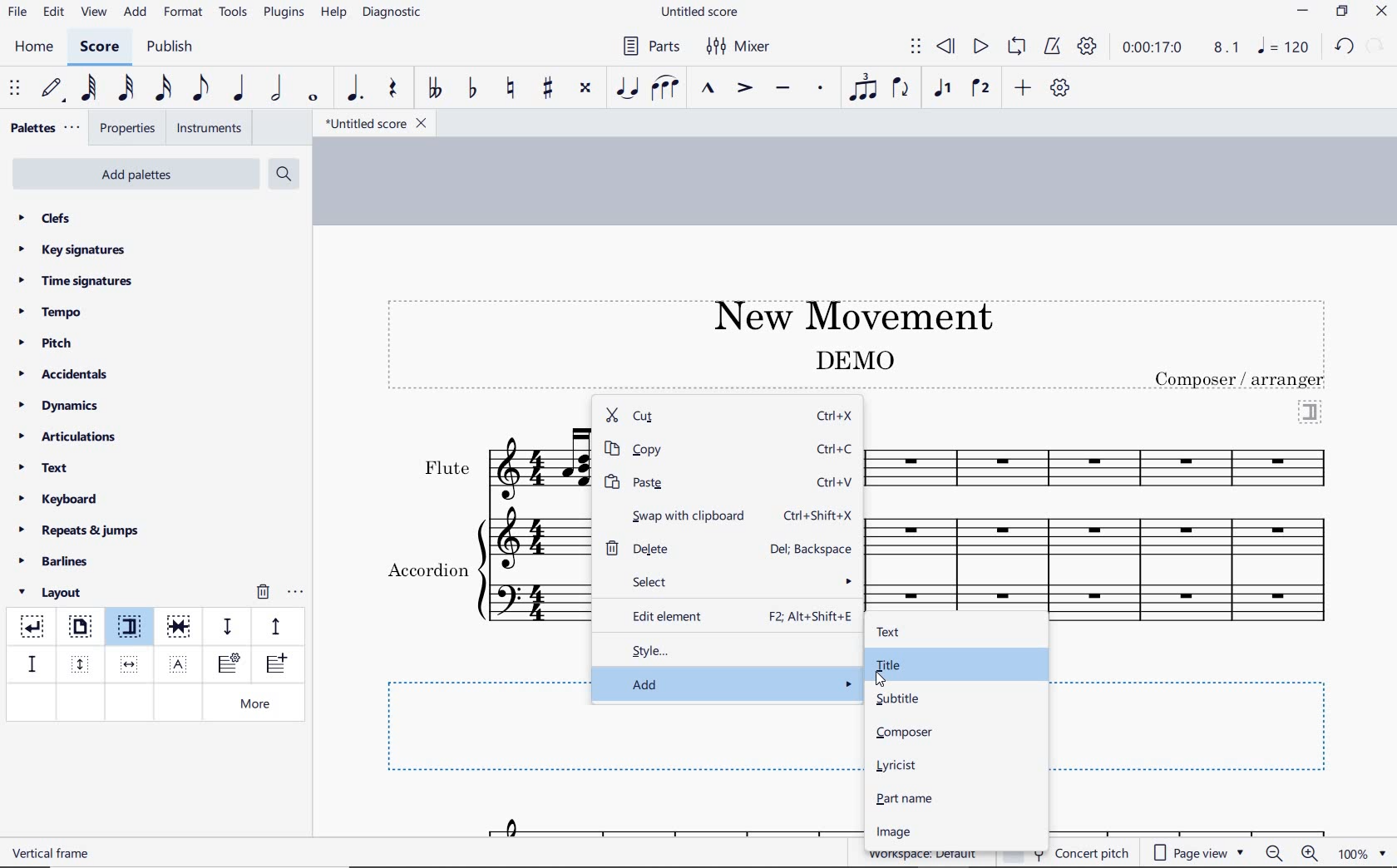 The image size is (1397, 868). I want to click on options, so click(295, 589).